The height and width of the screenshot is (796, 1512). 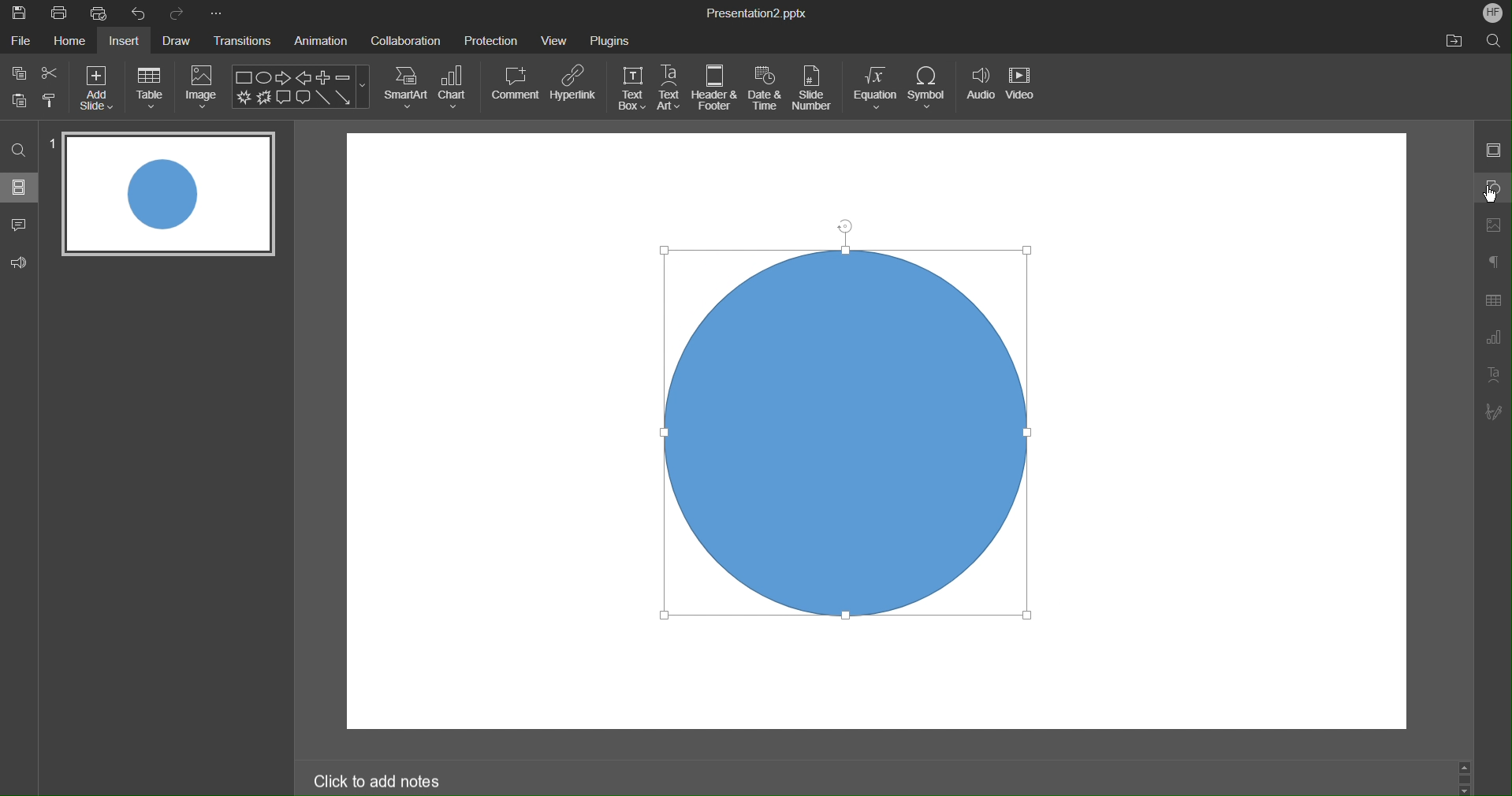 What do you see at coordinates (19, 149) in the screenshot?
I see `Search` at bounding box center [19, 149].